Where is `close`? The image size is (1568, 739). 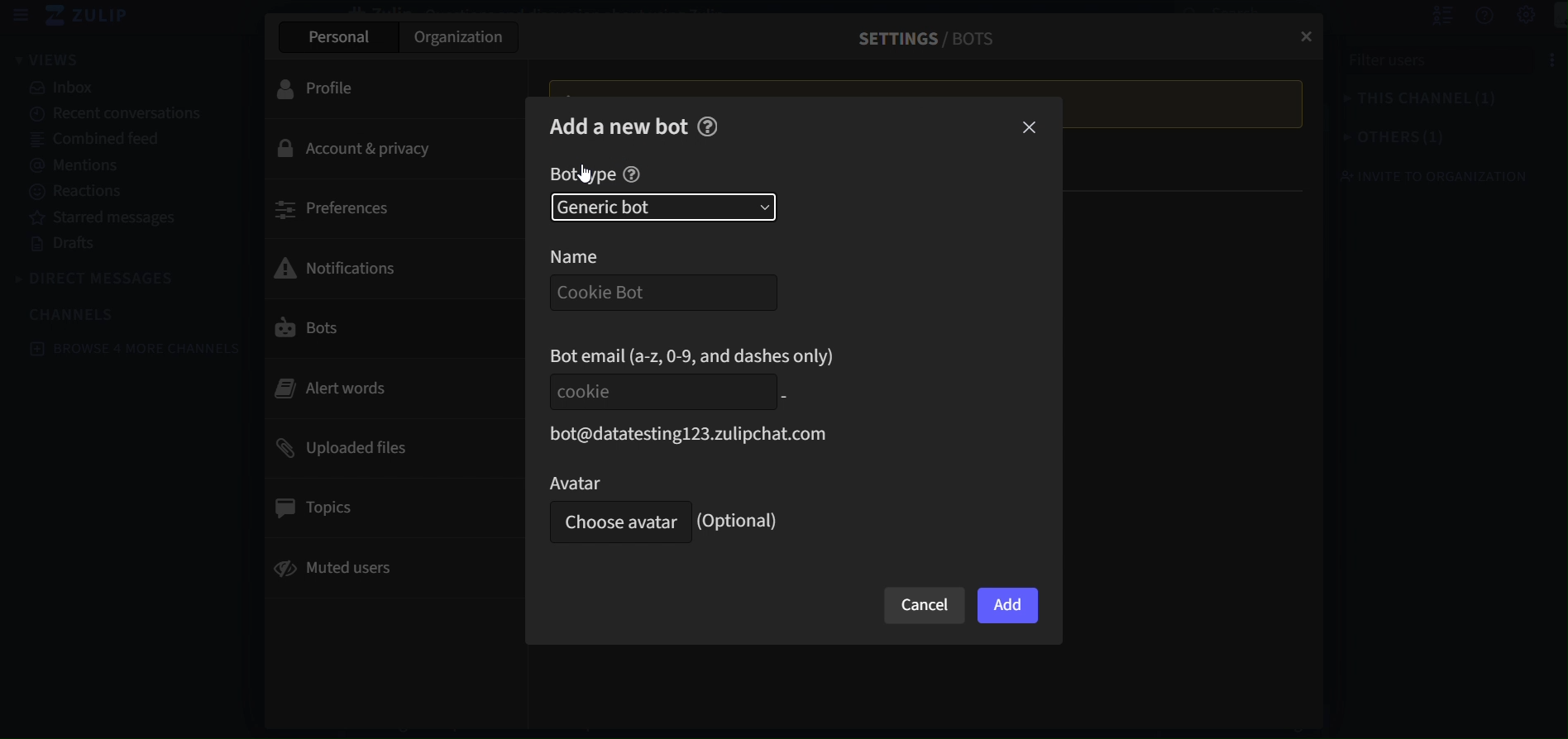
close is located at coordinates (1302, 31).